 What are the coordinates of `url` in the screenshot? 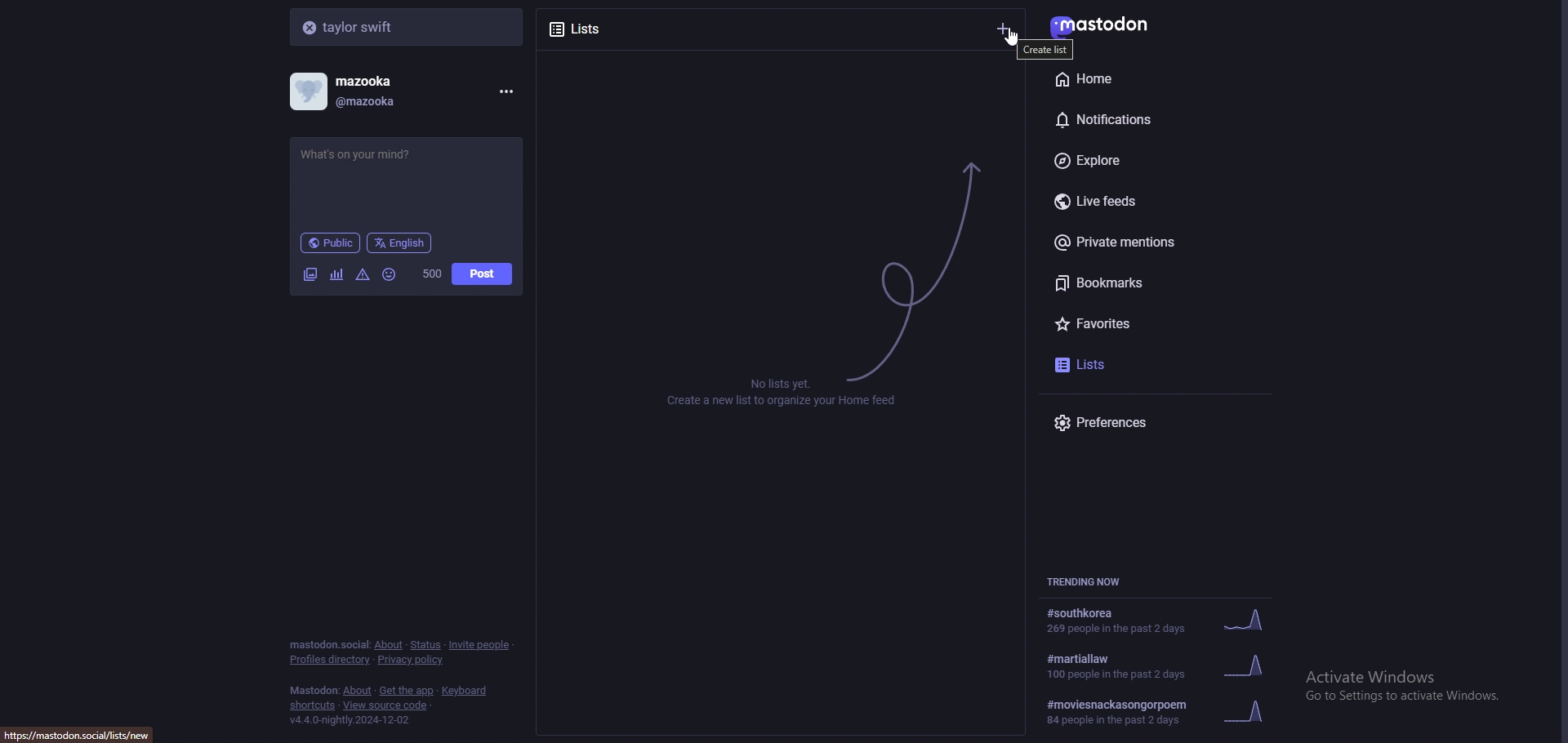 It's located at (83, 733).